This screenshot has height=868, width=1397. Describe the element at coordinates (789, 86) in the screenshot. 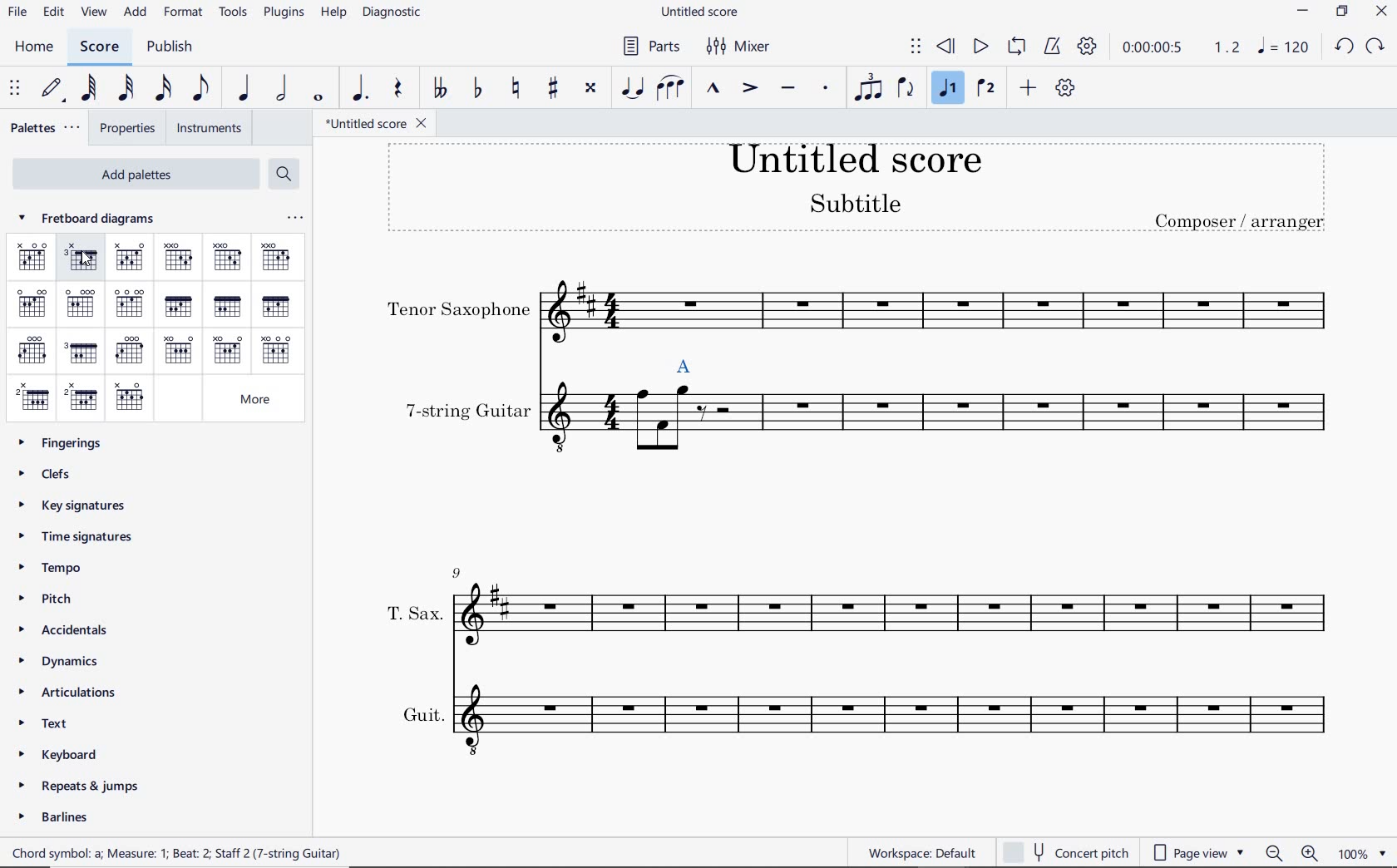

I see `TENUTO` at that location.